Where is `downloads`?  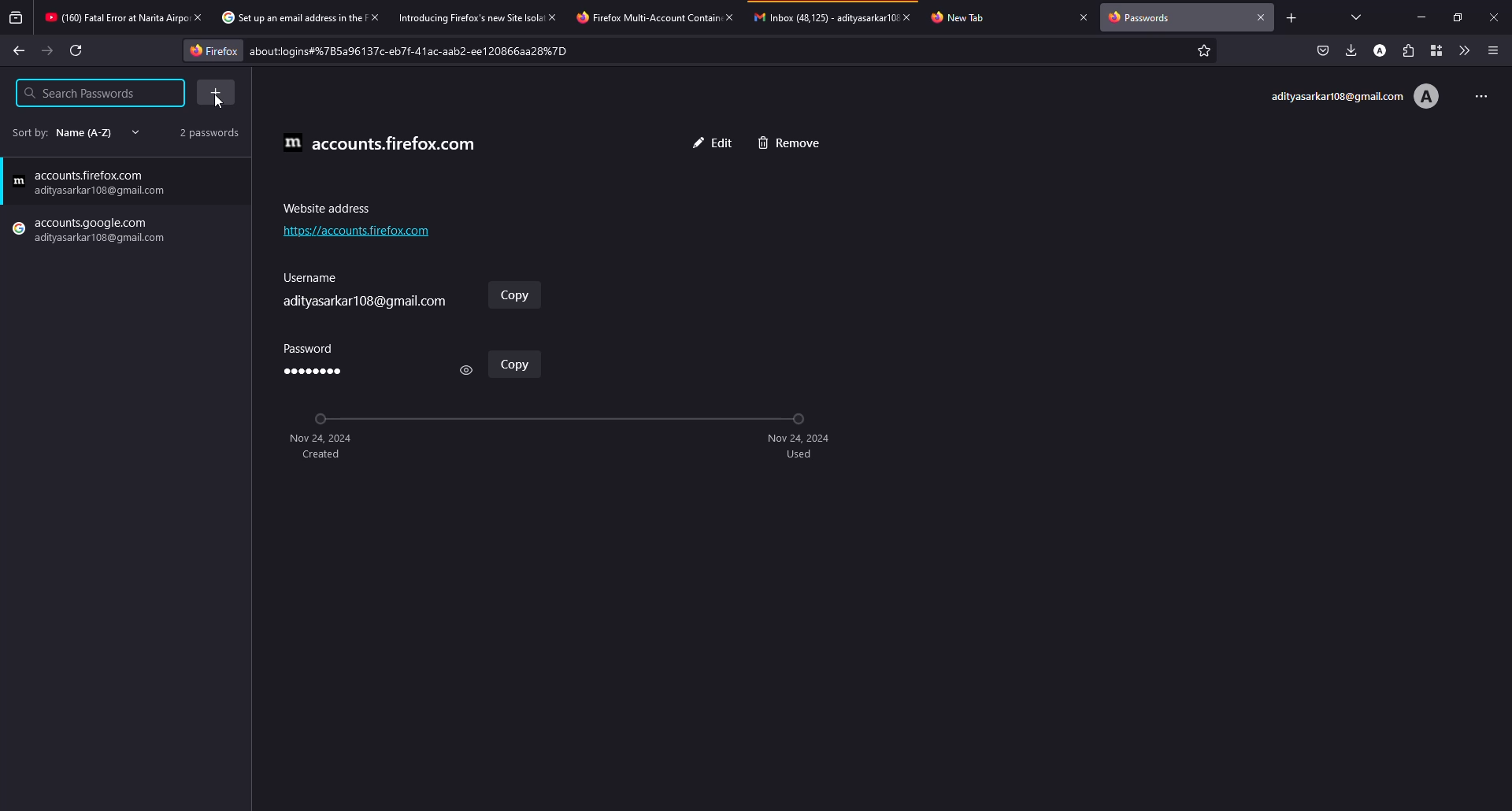 downloads is located at coordinates (1351, 50).